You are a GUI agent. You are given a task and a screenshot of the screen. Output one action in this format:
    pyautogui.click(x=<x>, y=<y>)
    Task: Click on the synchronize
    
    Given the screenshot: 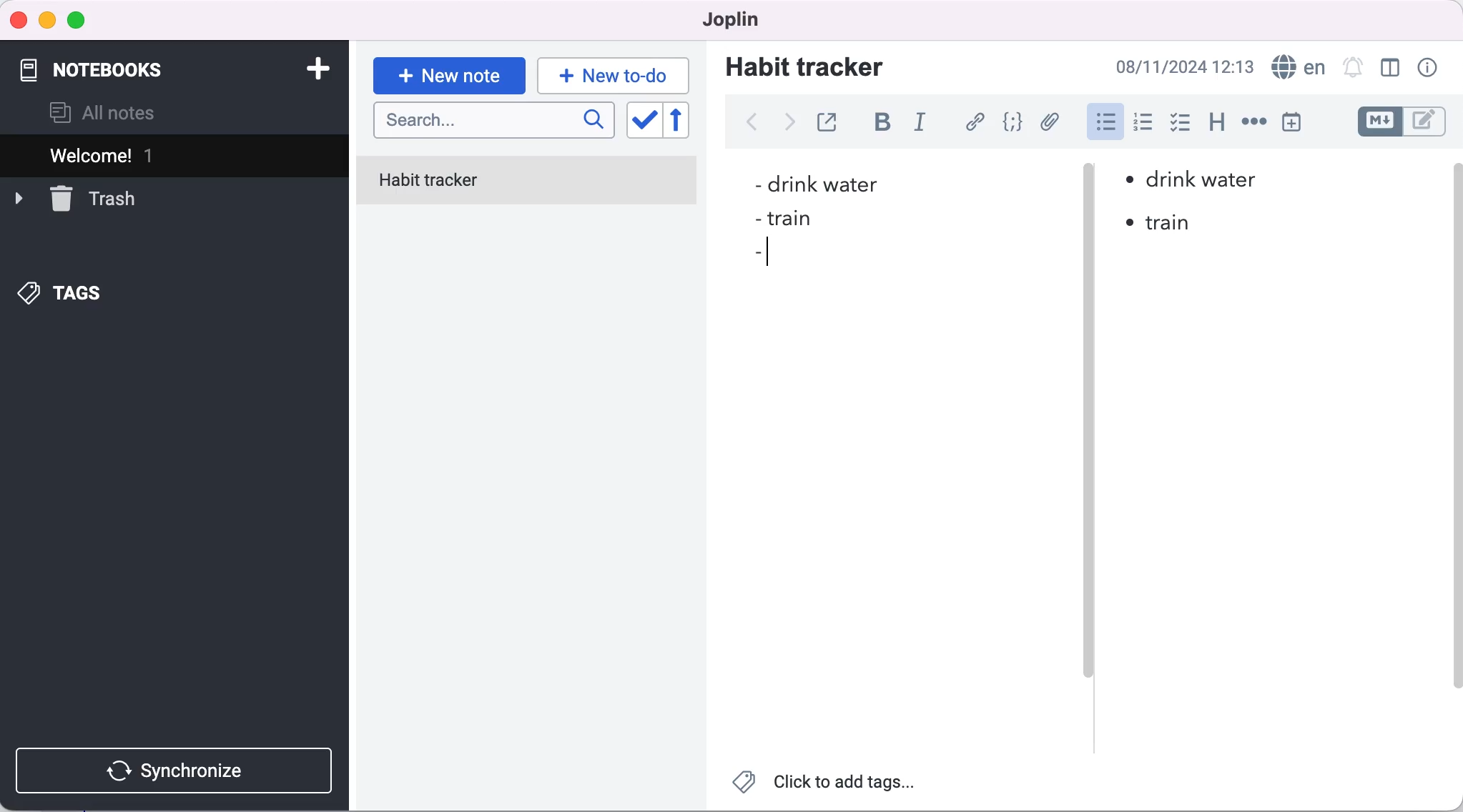 What is the action you would take?
    pyautogui.click(x=177, y=771)
    